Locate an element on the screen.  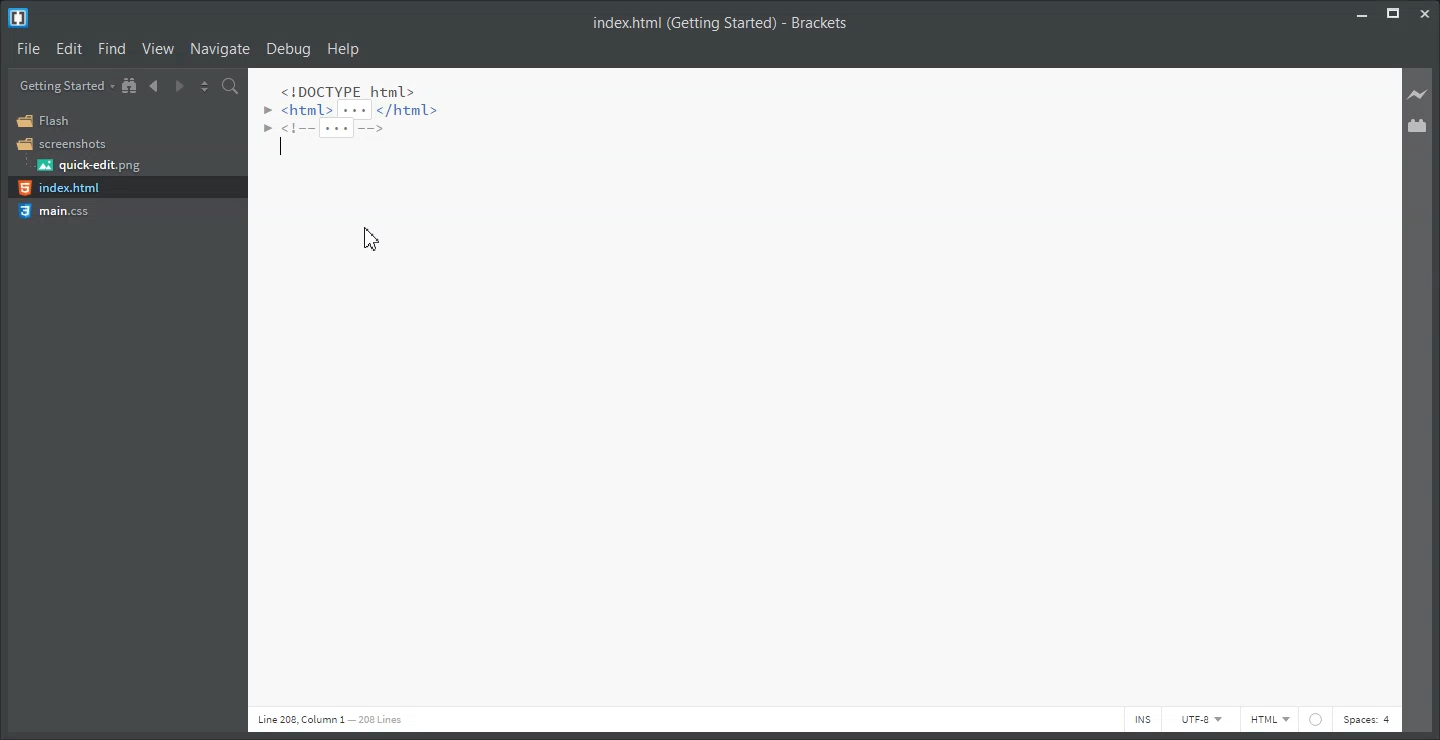
web is located at coordinates (1314, 717).